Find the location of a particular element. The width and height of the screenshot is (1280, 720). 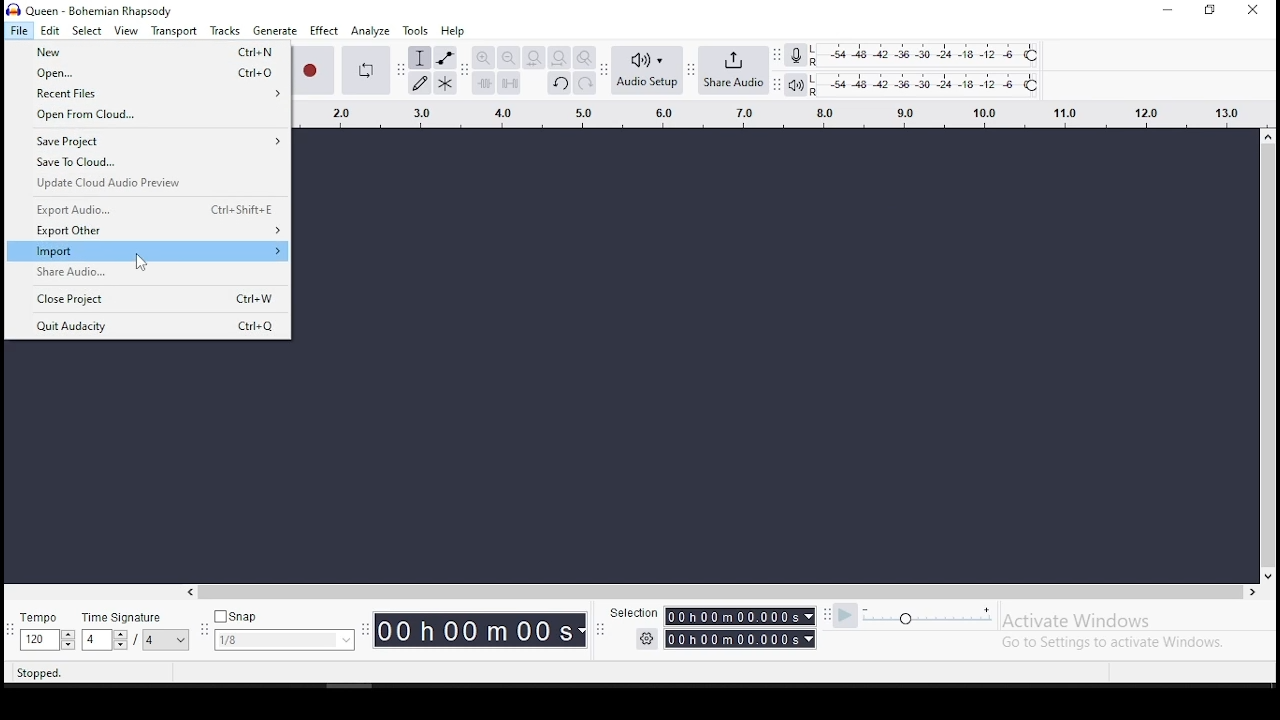

silence selected audio is located at coordinates (510, 84).